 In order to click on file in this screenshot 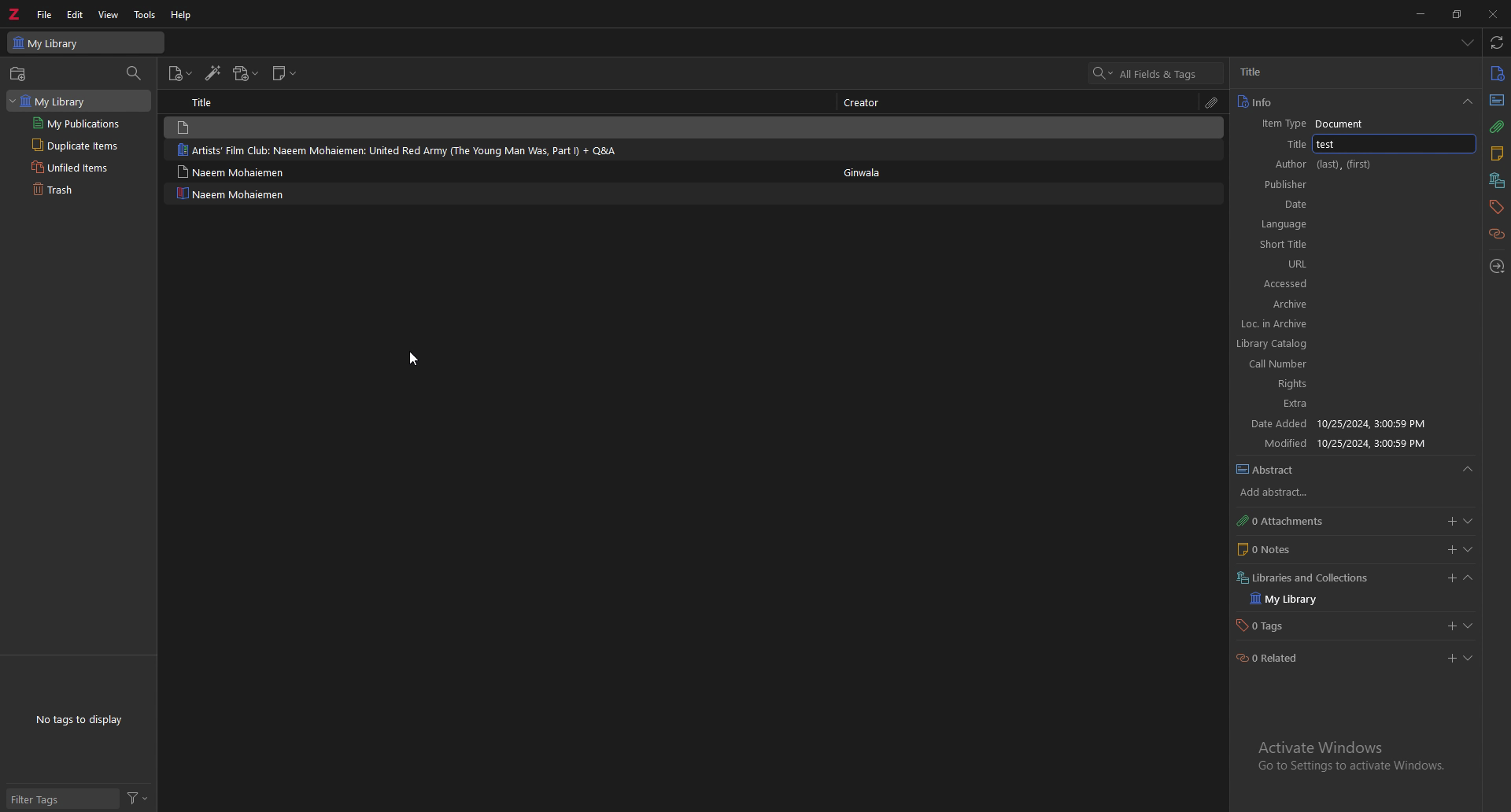, I will do `click(46, 14)`.